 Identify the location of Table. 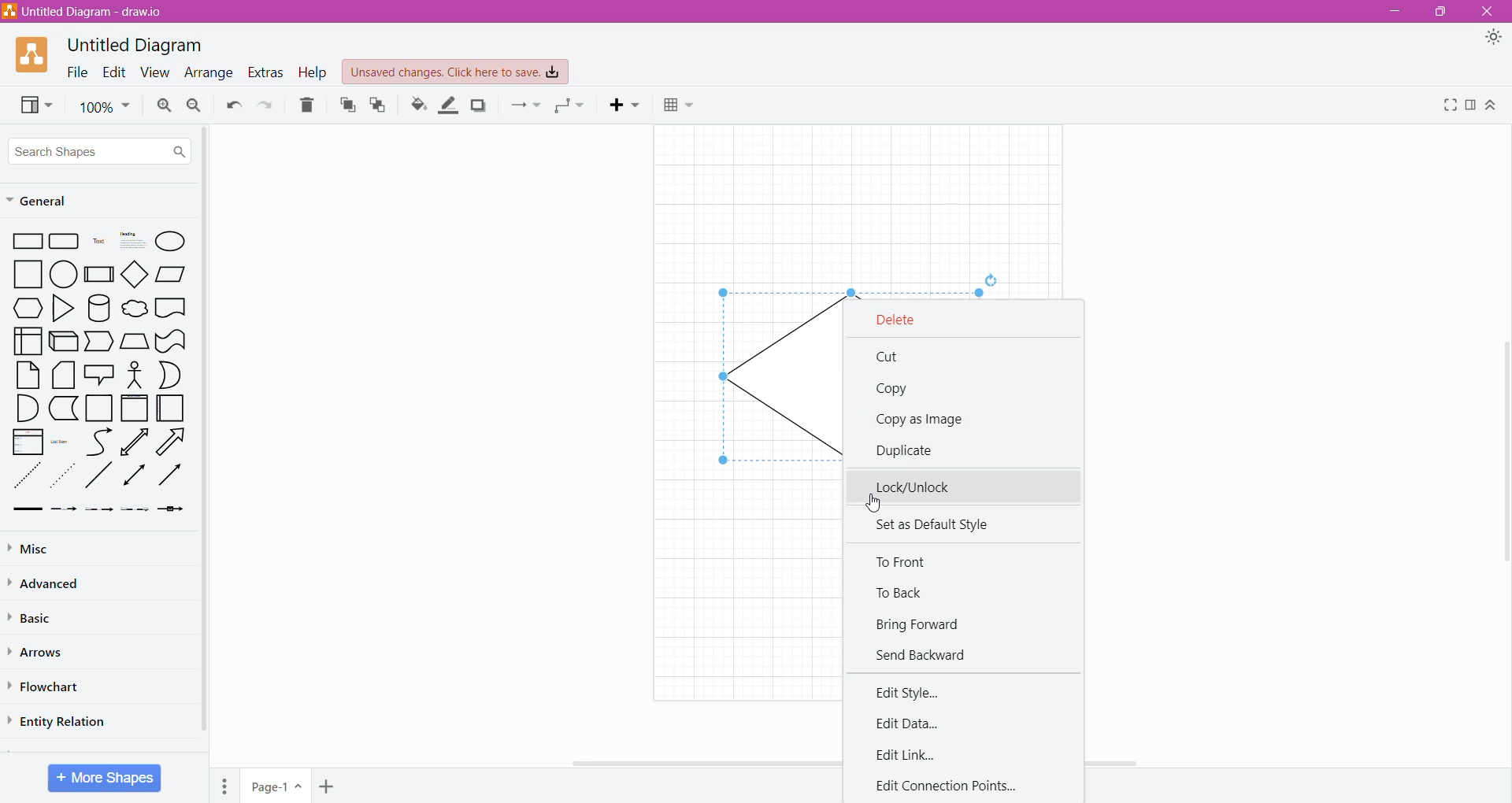
(680, 105).